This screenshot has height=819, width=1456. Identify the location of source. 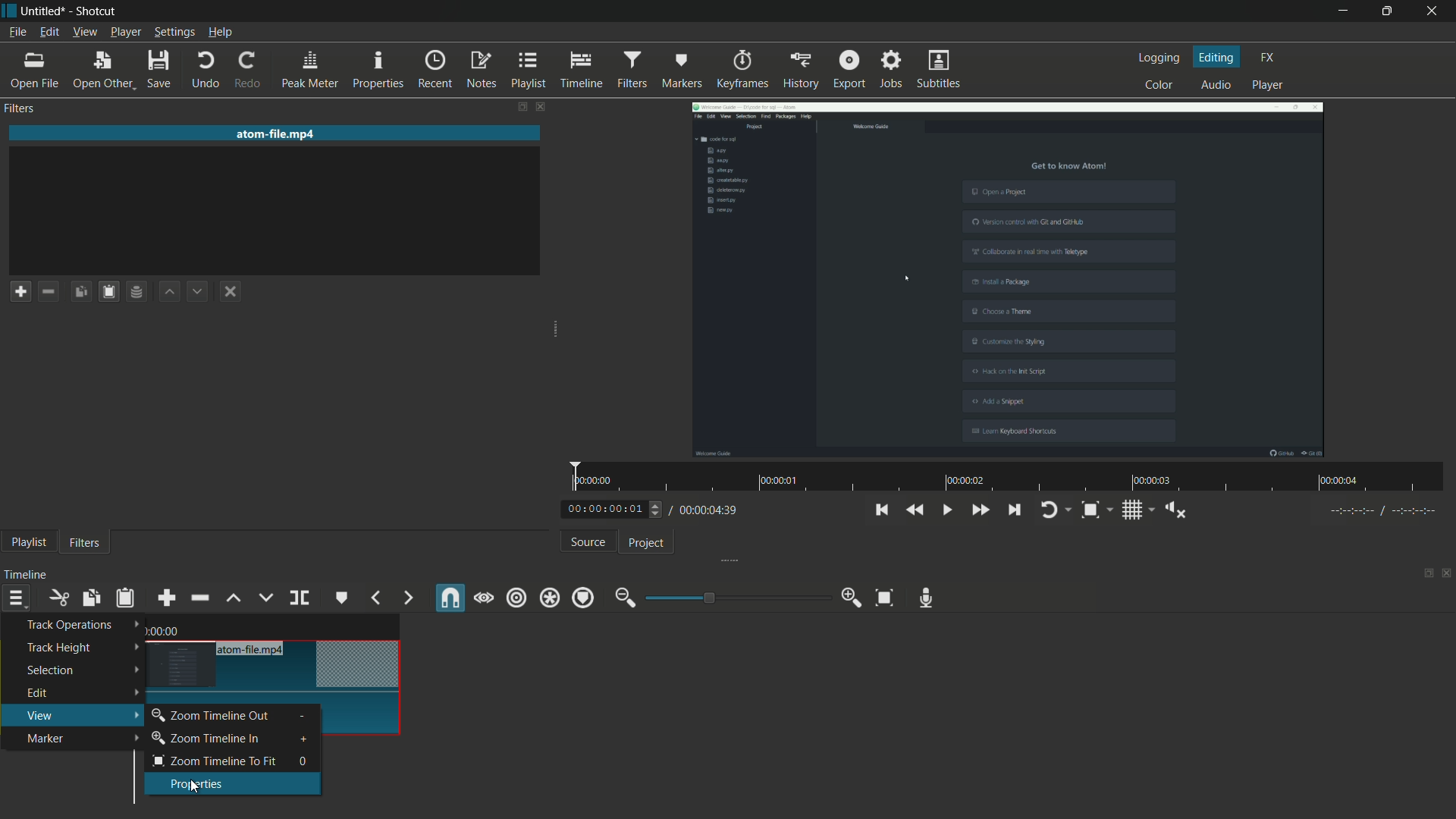
(589, 541).